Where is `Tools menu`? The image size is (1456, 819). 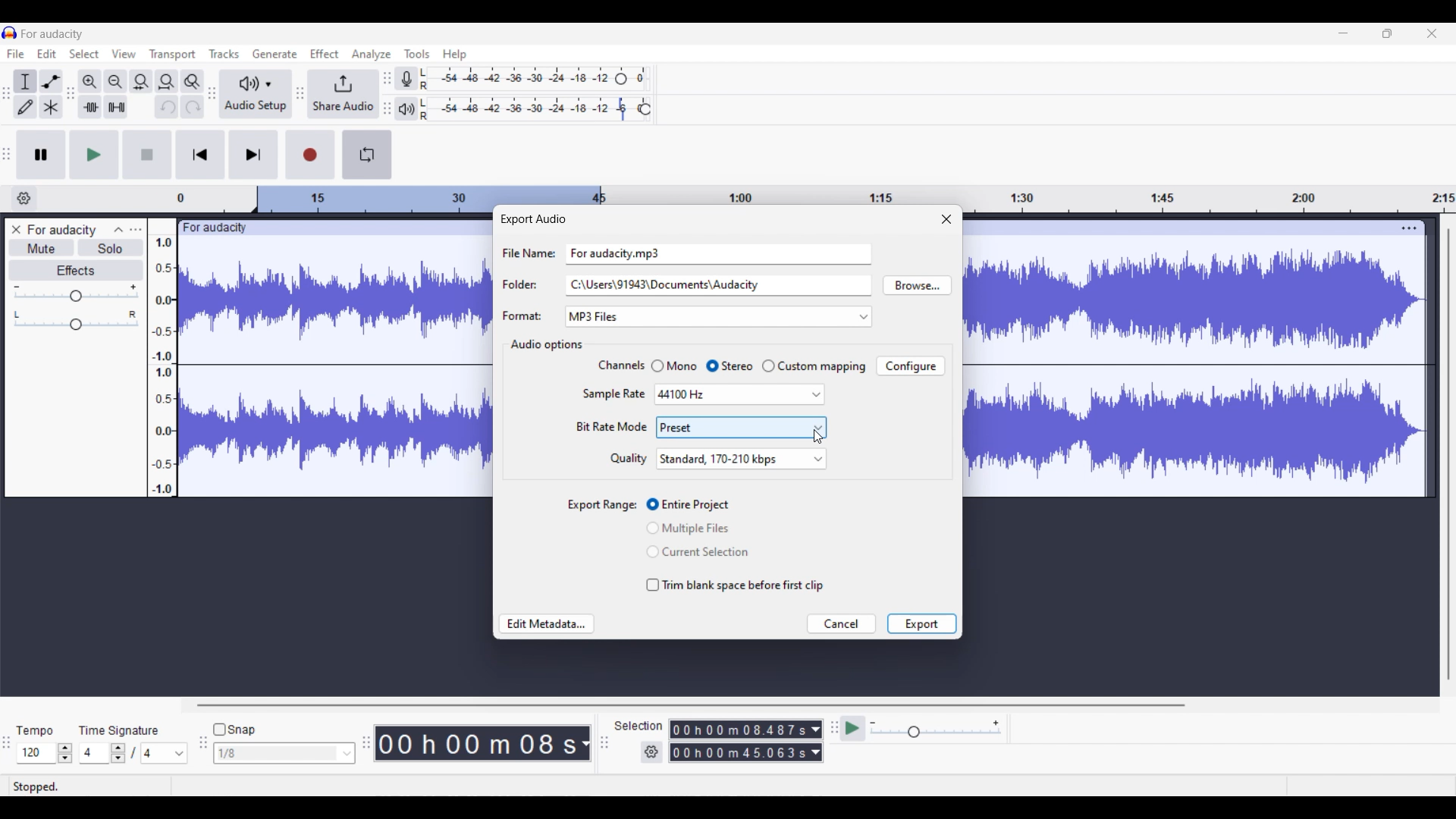 Tools menu is located at coordinates (417, 54).